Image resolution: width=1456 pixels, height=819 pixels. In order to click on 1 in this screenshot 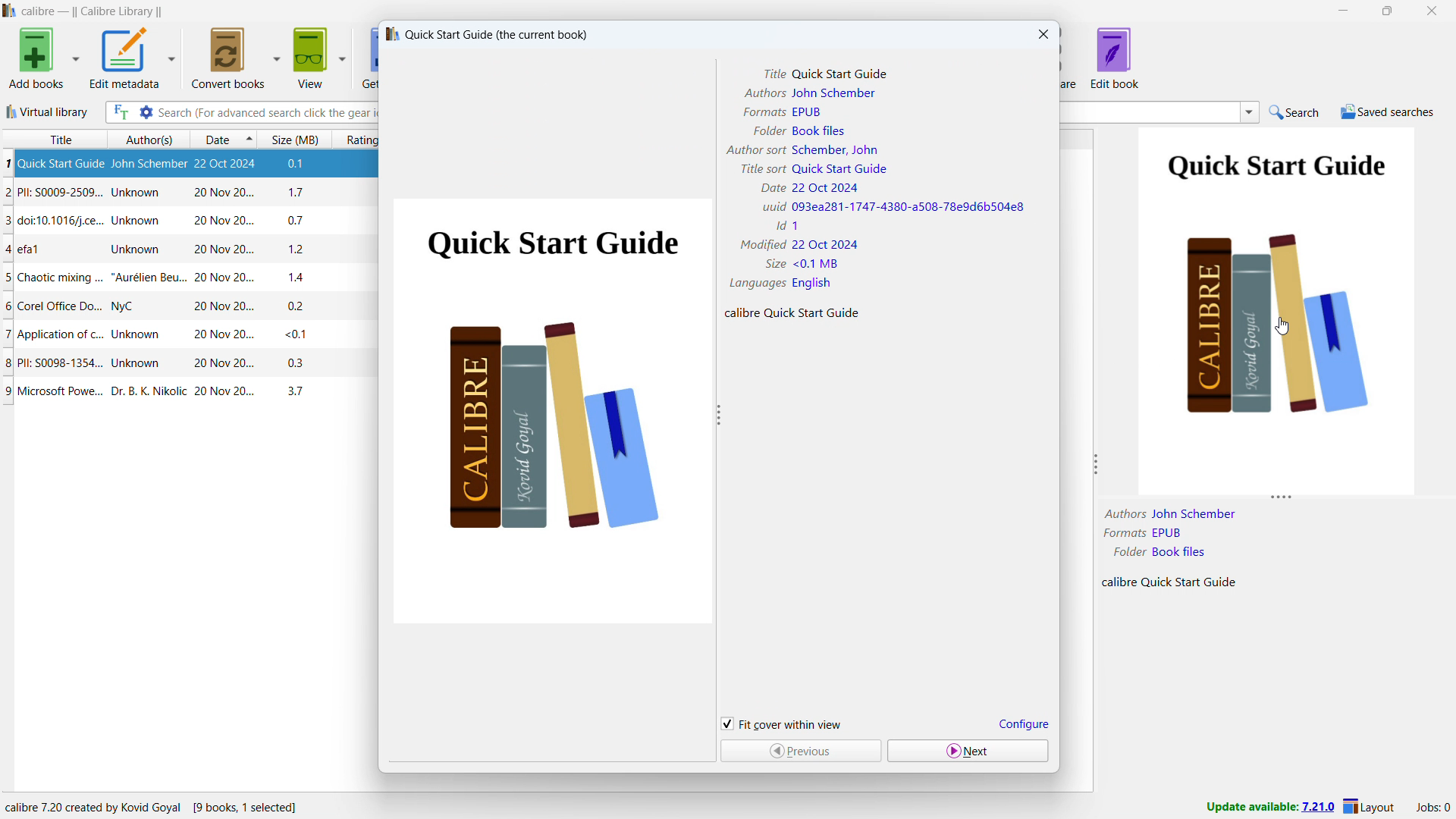, I will do `click(795, 225)`.